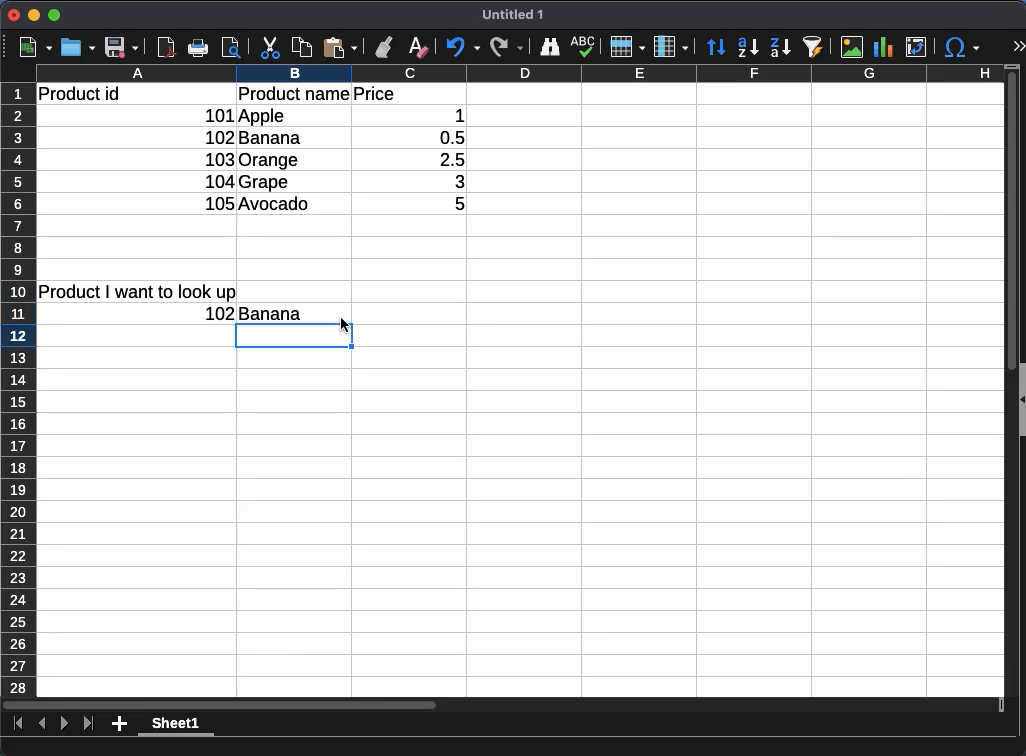  What do you see at coordinates (512, 14) in the screenshot?
I see `Untitled 1` at bounding box center [512, 14].